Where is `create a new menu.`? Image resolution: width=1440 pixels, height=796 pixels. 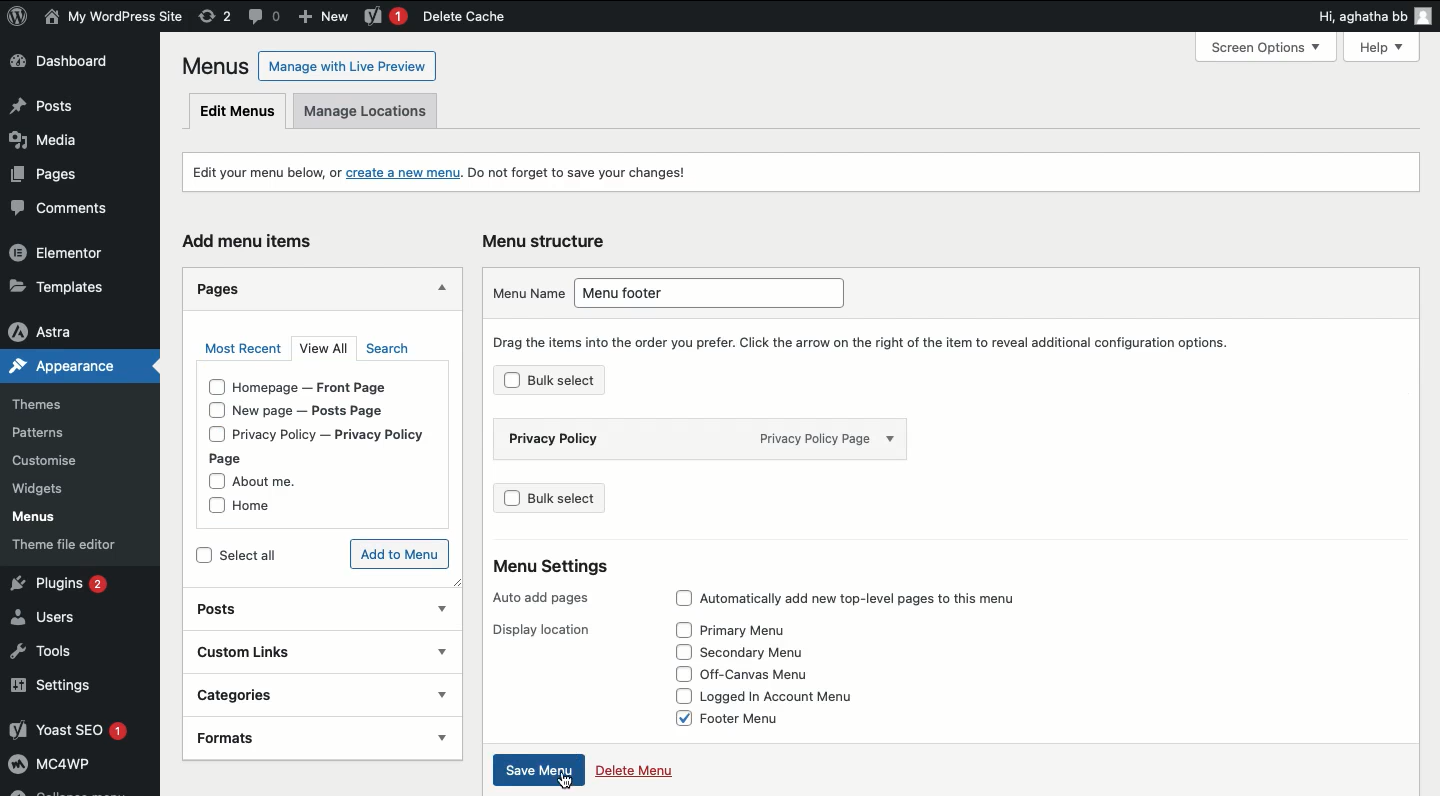 create a new menu. is located at coordinates (404, 174).